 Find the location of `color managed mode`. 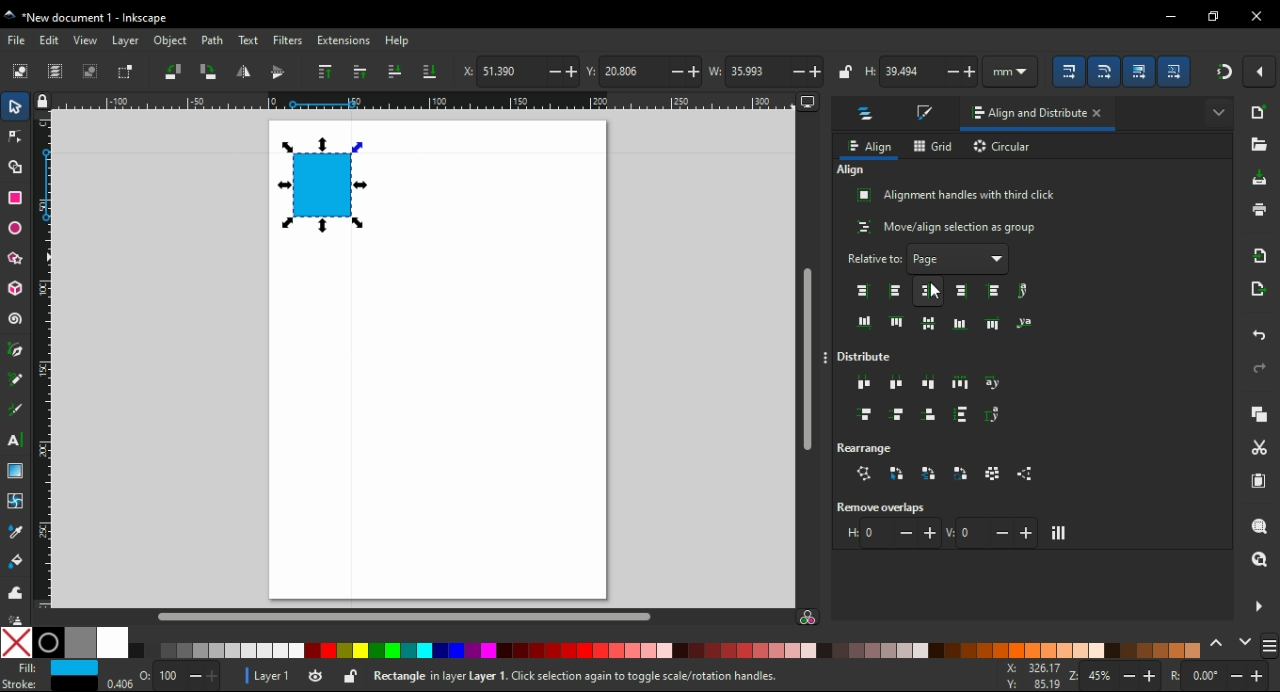

color managed mode is located at coordinates (807, 619).